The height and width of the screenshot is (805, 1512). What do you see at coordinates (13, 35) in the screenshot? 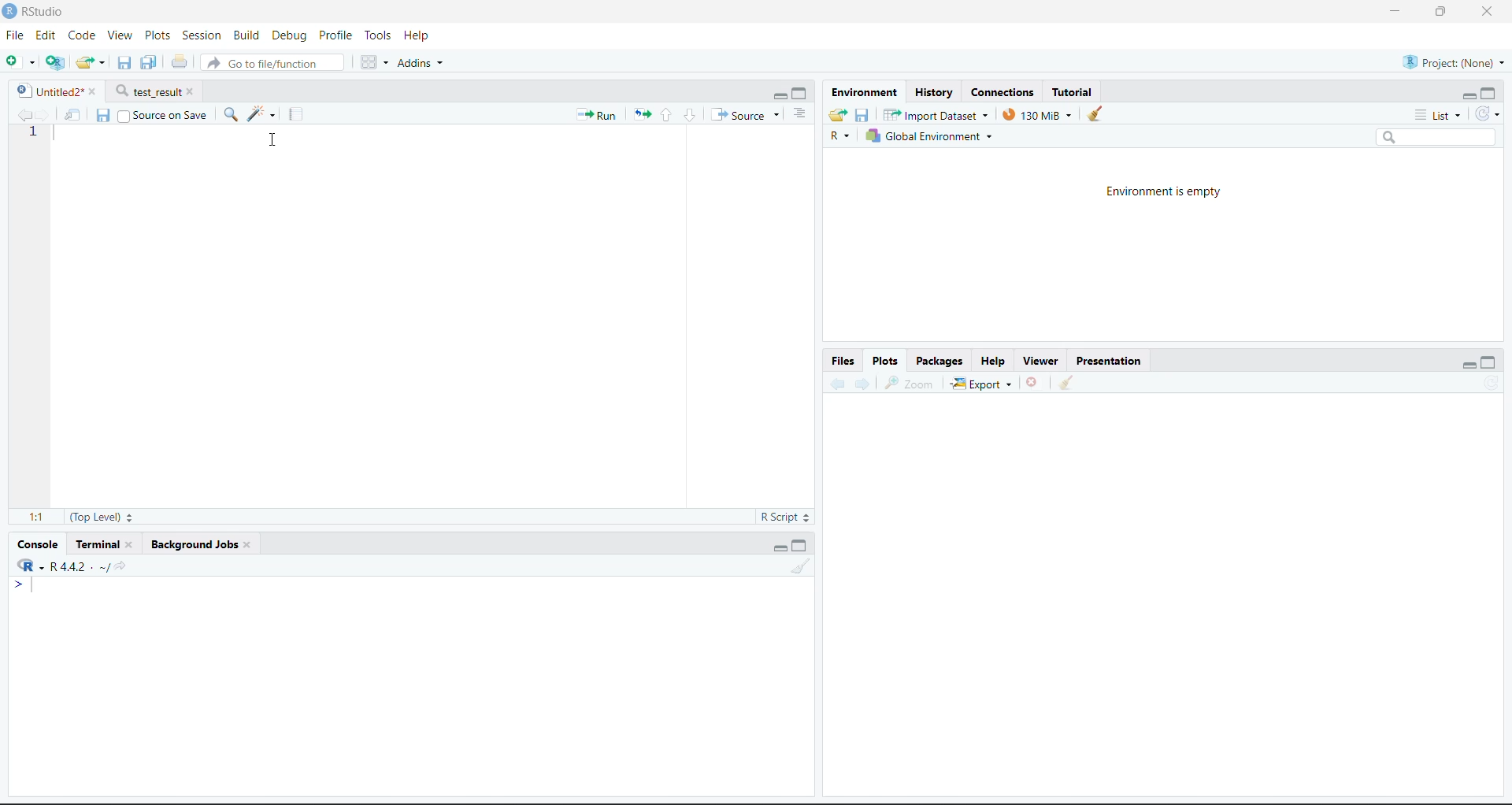
I see `File` at bounding box center [13, 35].